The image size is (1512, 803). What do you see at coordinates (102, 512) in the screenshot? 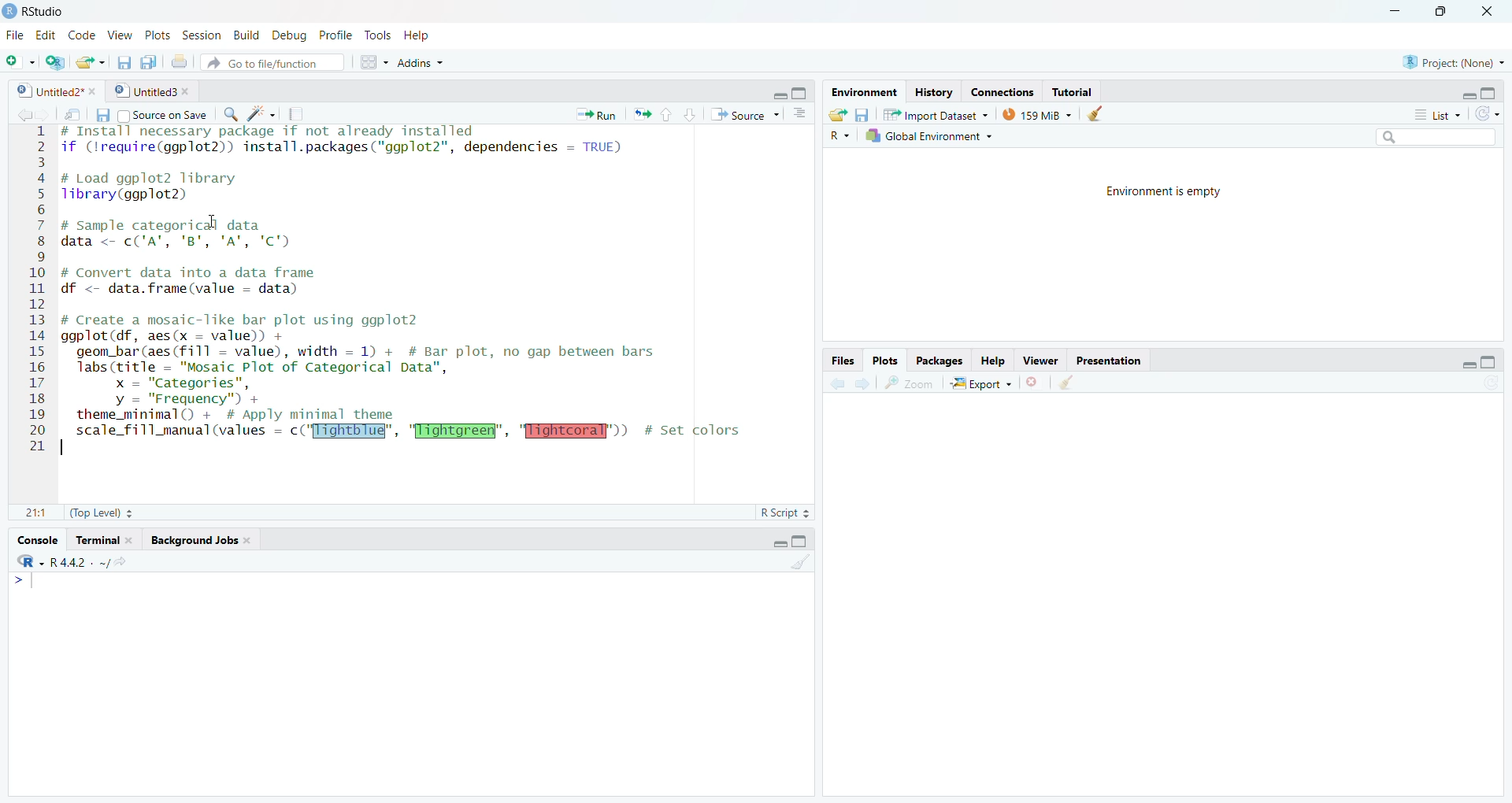
I see `Top Level` at bounding box center [102, 512].